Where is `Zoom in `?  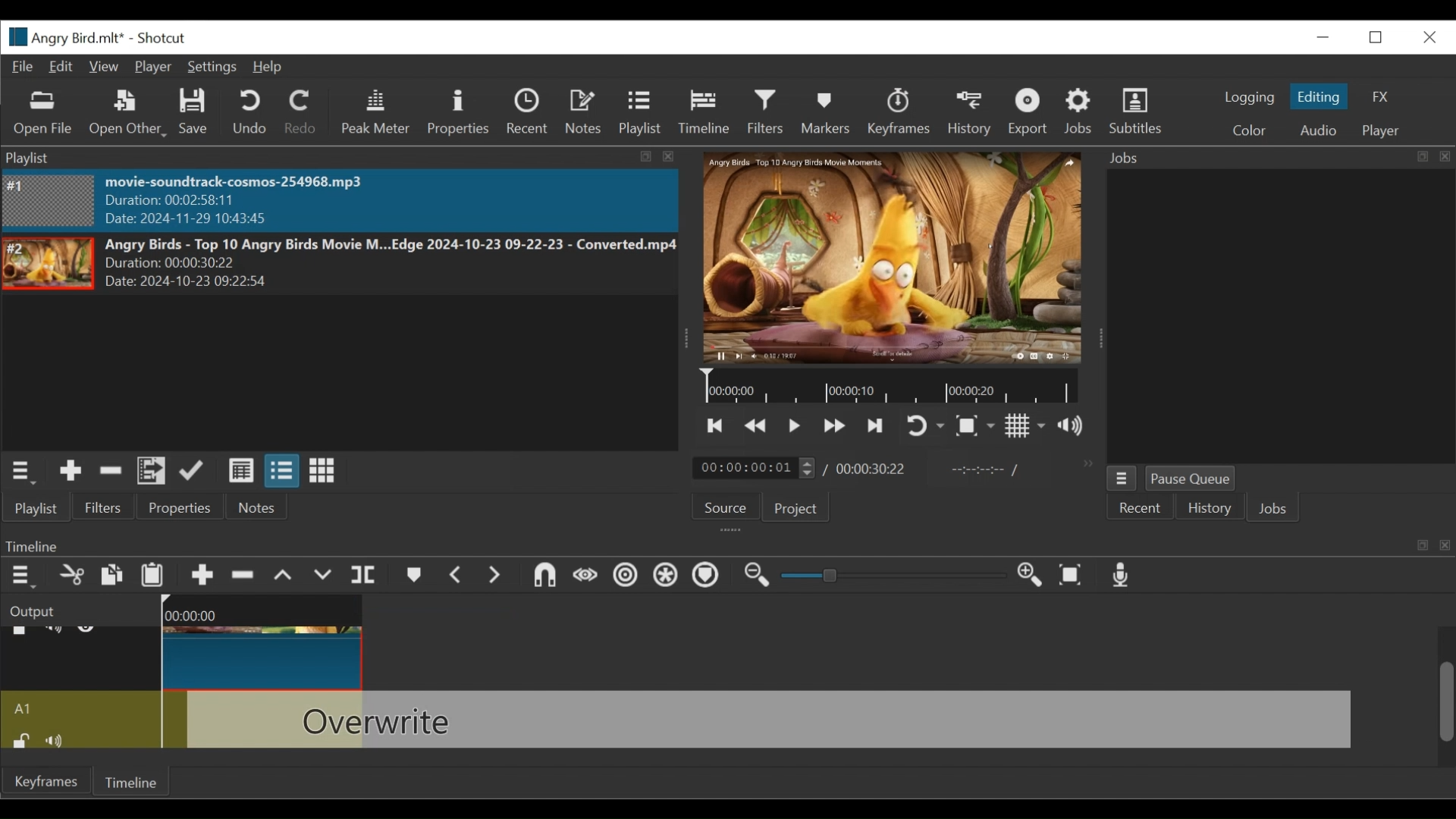
Zoom in  is located at coordinates (1035, 576).